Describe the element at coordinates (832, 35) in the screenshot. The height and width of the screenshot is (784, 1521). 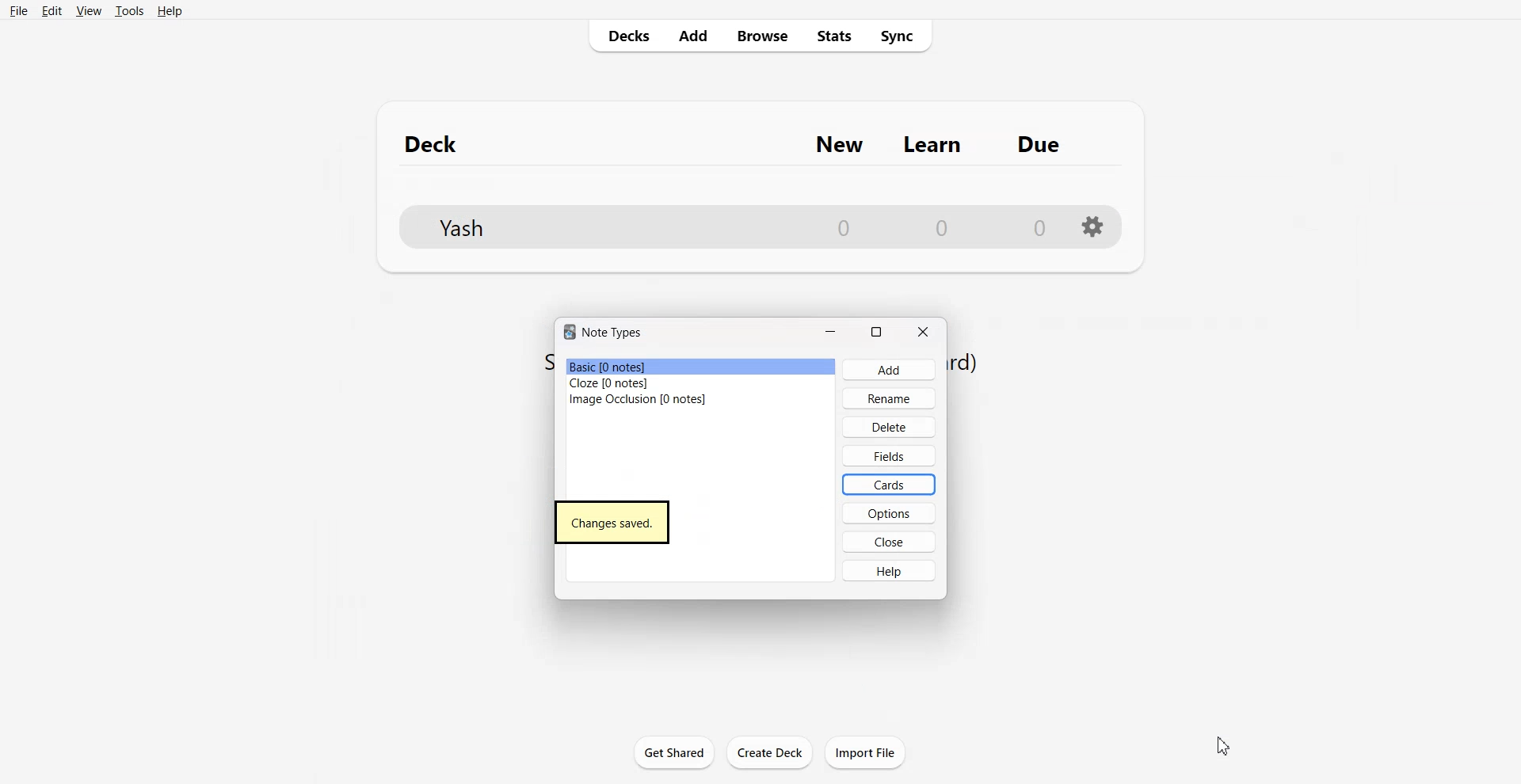
I see `Stats` at that location.